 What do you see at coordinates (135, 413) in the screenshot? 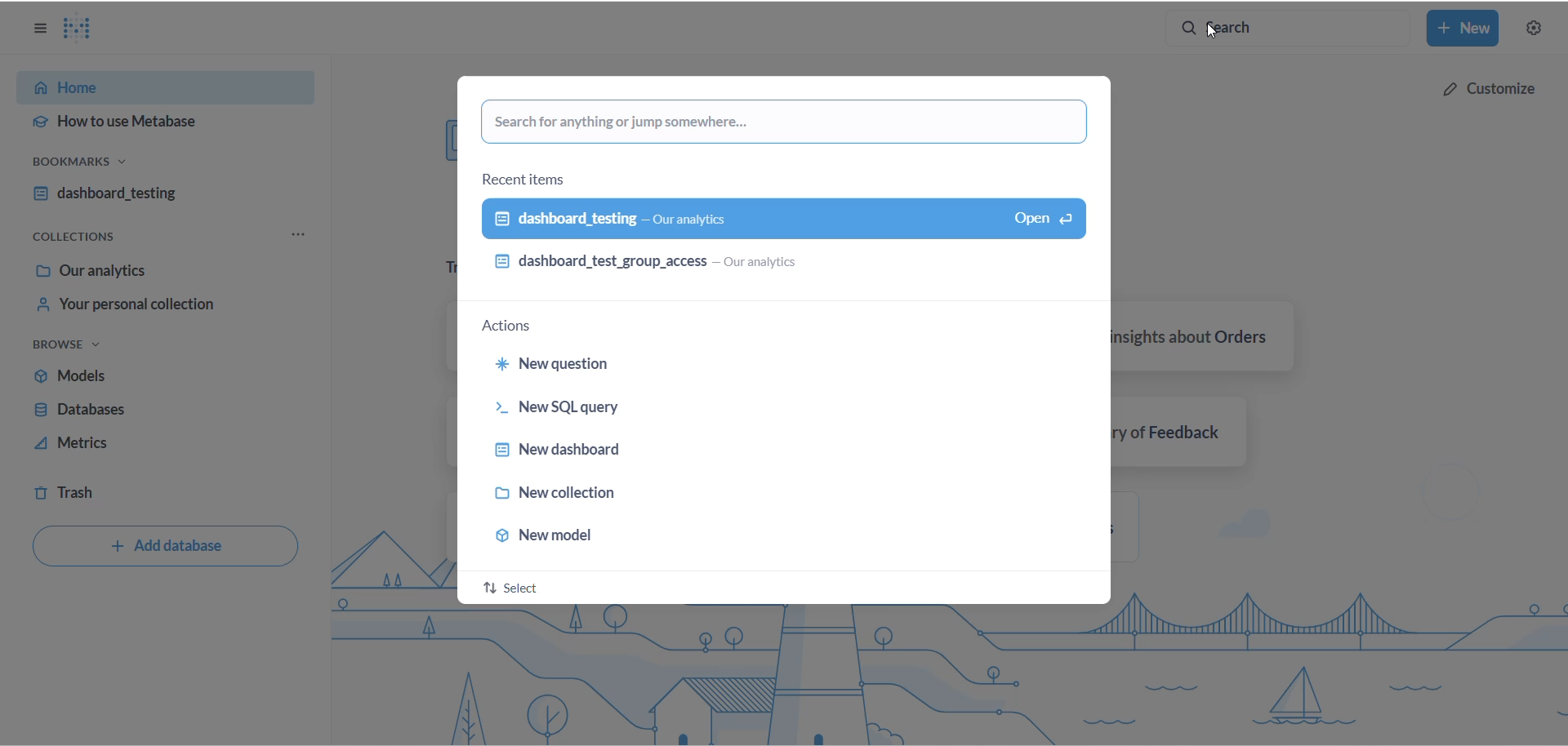
I see `databases` at bounding box center [135, 413].